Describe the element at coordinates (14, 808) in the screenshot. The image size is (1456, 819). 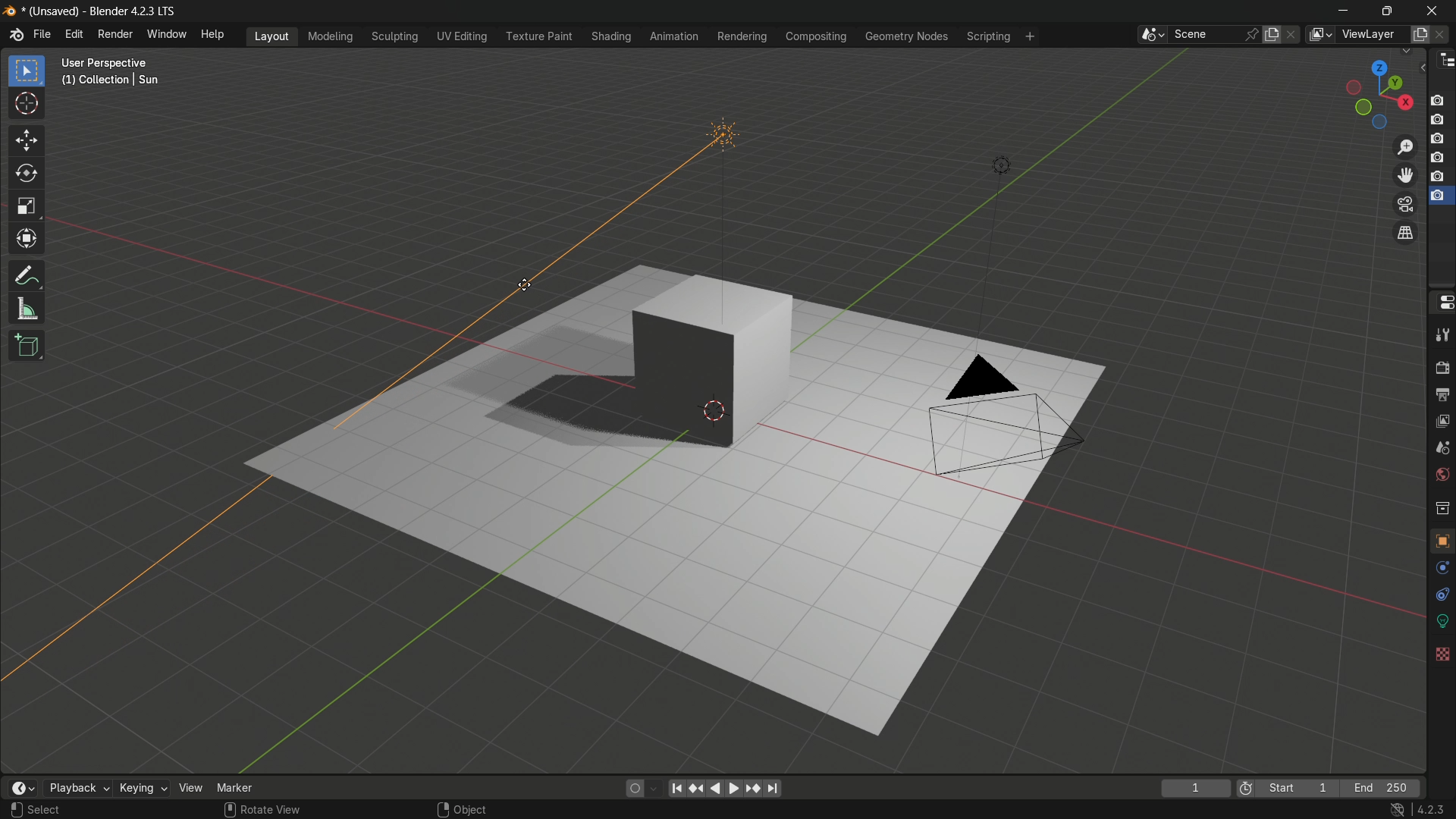
I see `left click` at that location.